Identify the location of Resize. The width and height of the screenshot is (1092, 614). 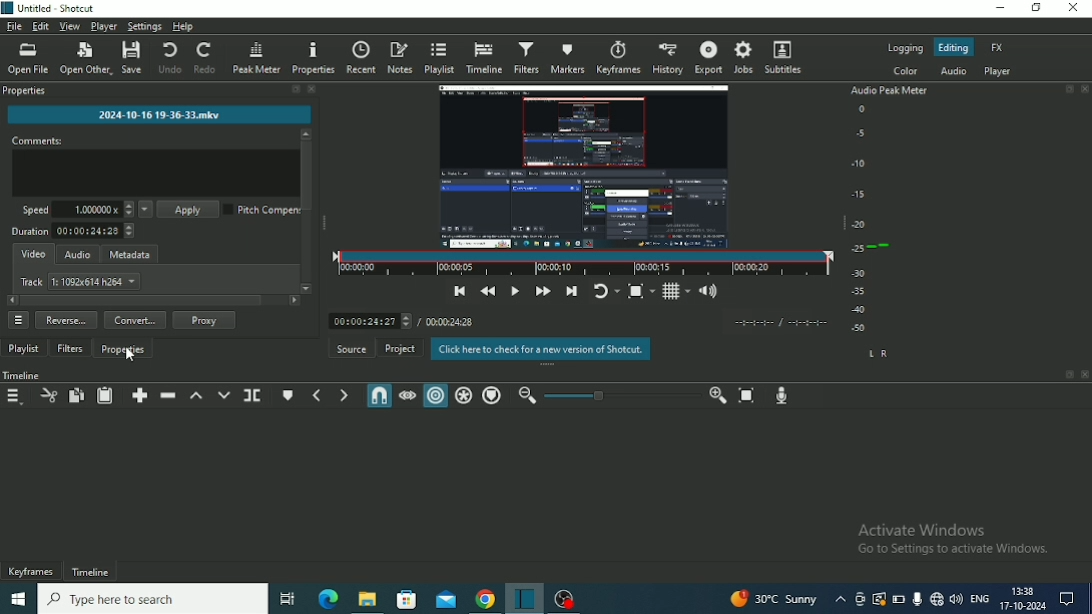
(842, 223).